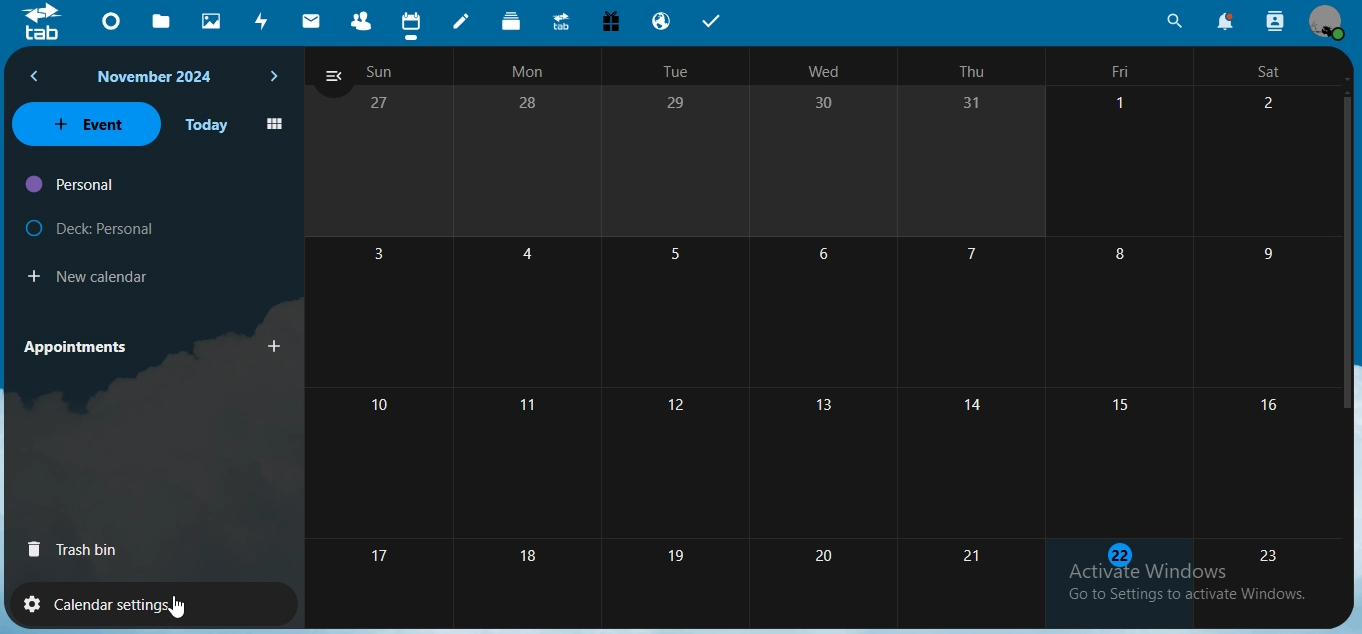  What do you see at coordinates (276, 347) in the screenshot?
I see `add event` at bounding box center [276, 347].